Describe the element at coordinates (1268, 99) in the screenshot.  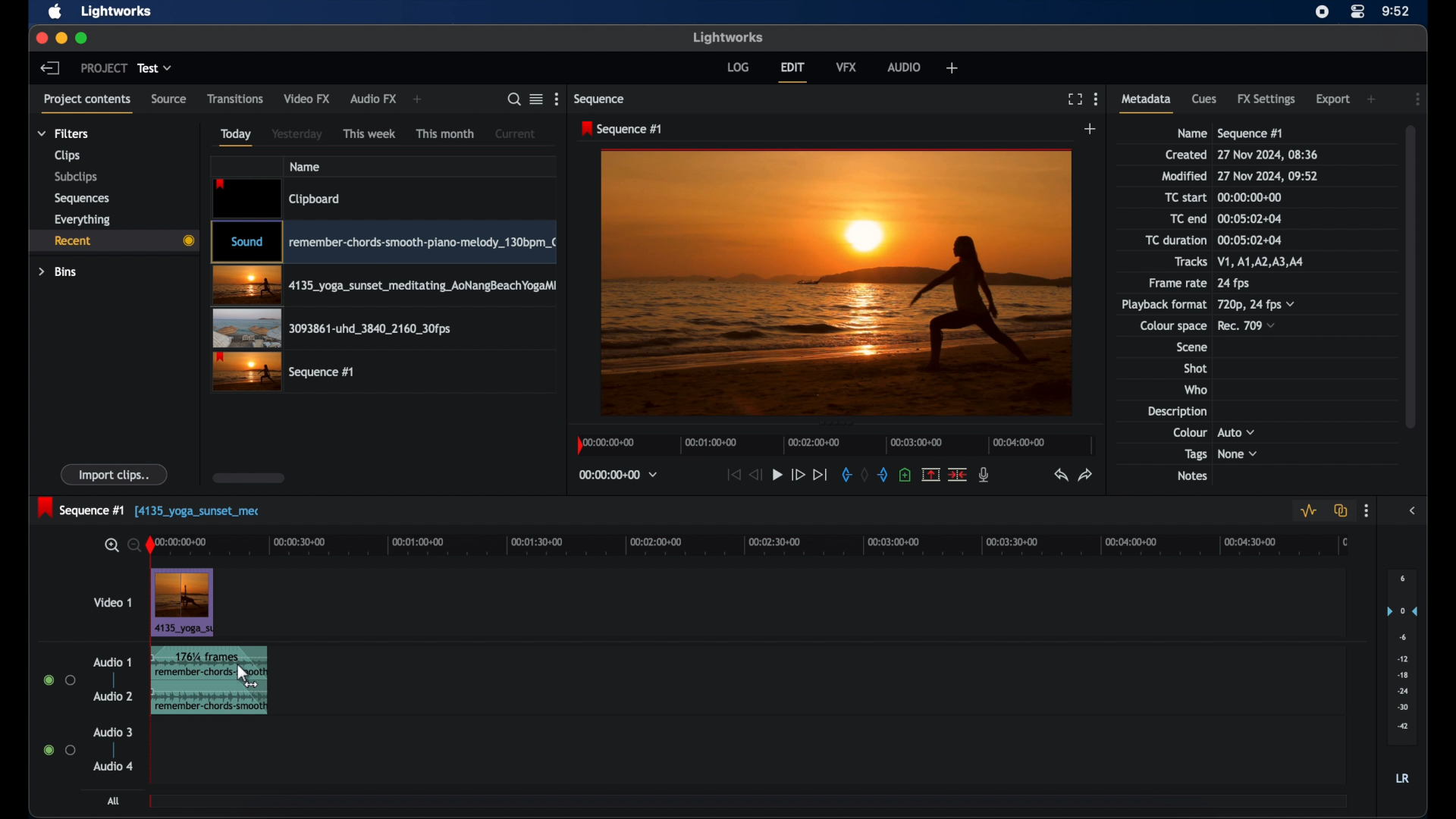
I see `fx settongs` at that location.